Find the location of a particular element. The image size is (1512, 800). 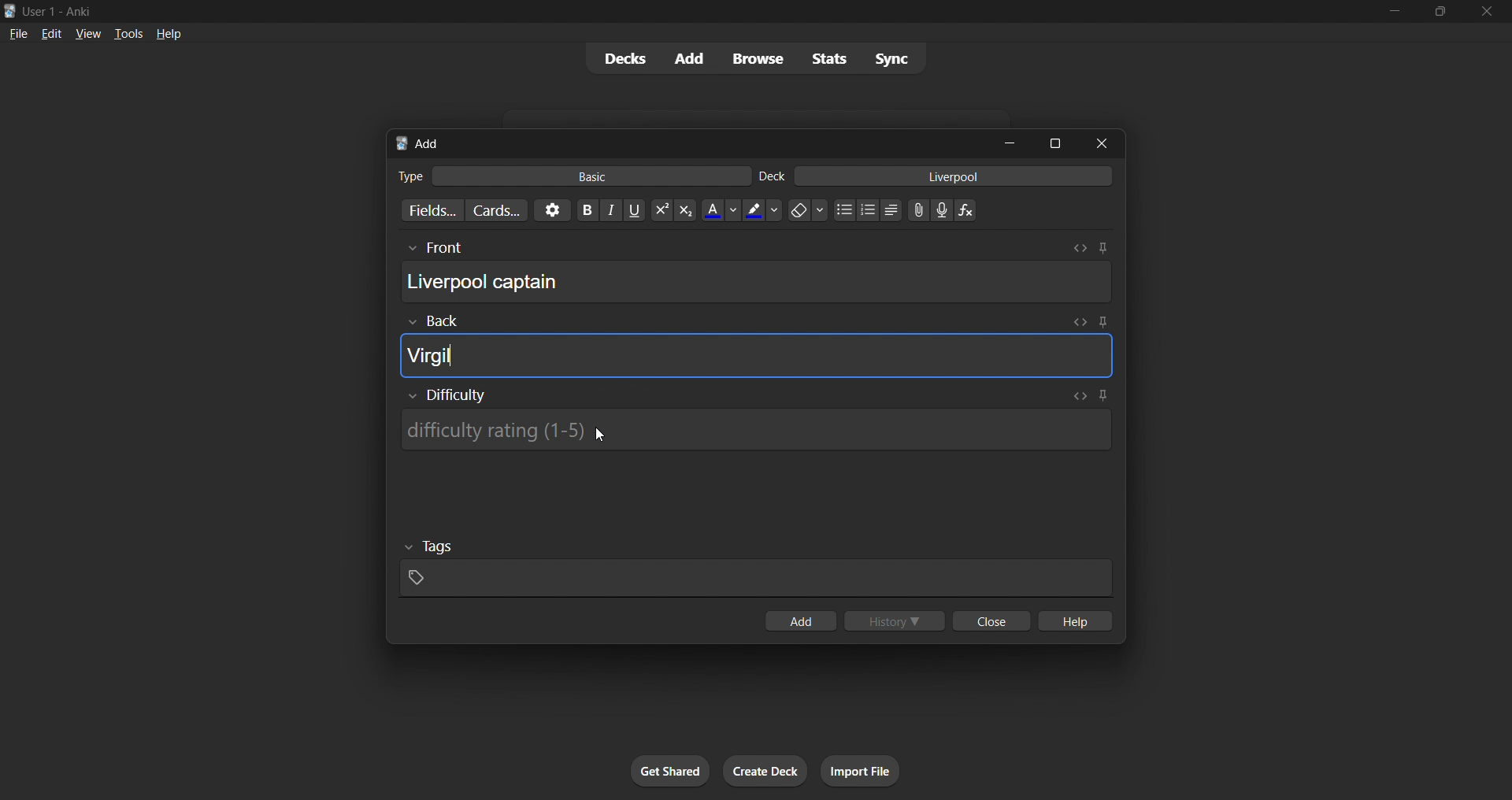

customize card templates is located at coordinates (496, 211).